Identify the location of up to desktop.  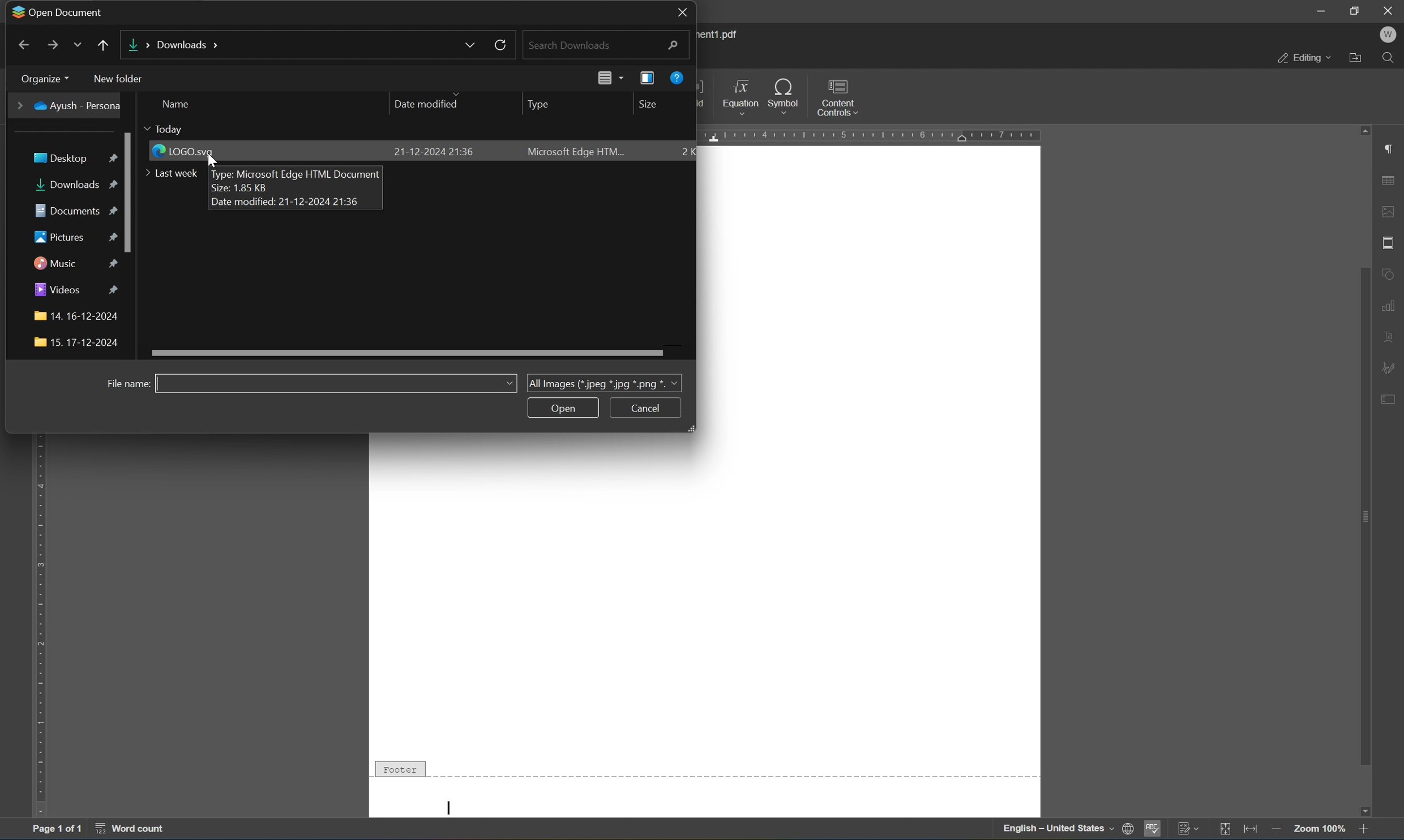
(118, 45).